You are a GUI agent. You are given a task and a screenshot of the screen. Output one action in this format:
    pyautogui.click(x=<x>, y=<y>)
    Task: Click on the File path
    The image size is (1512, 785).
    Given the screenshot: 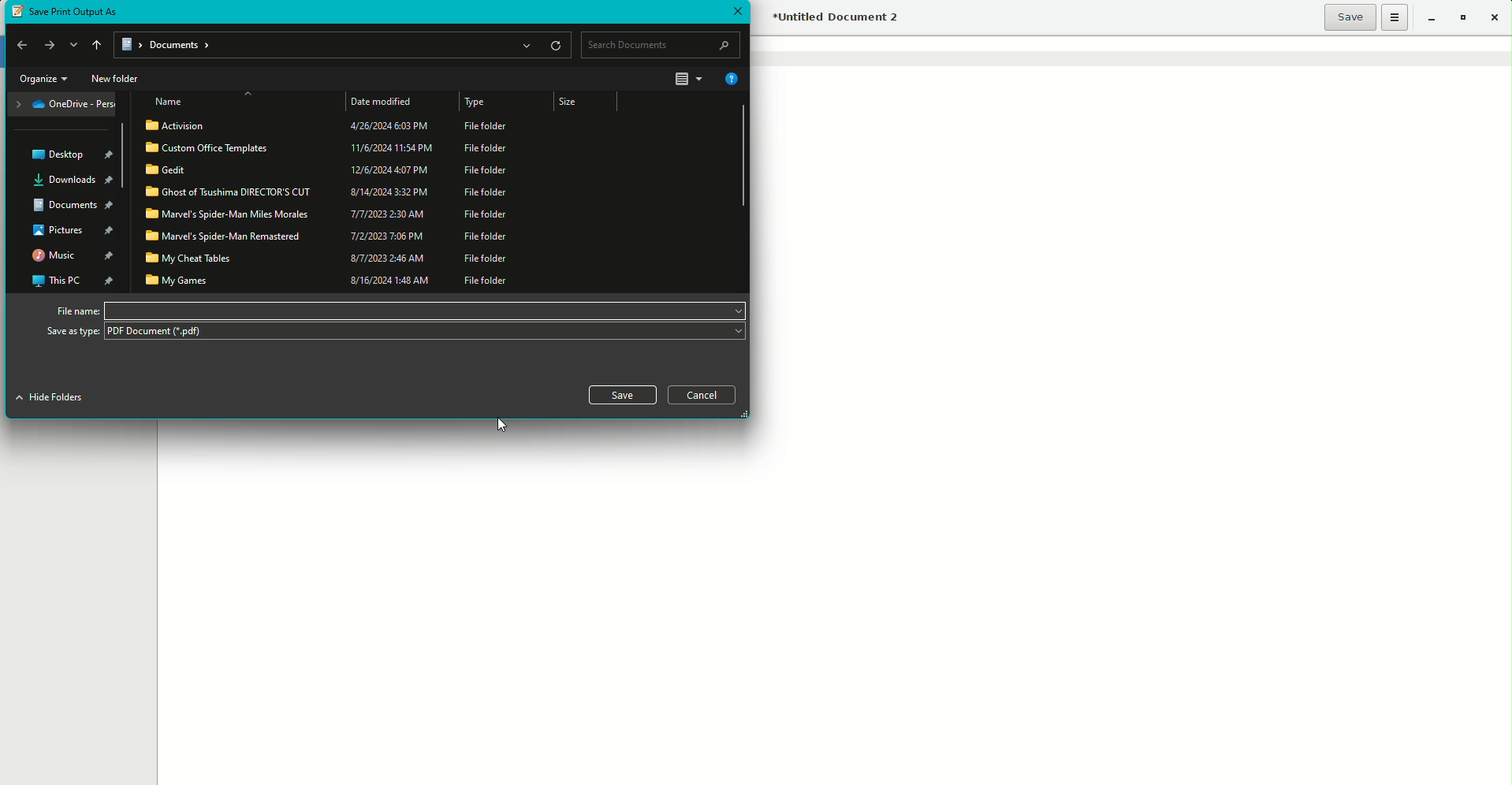 What is the action you would take?
    pyautogui.click(x=344, y=46)
    